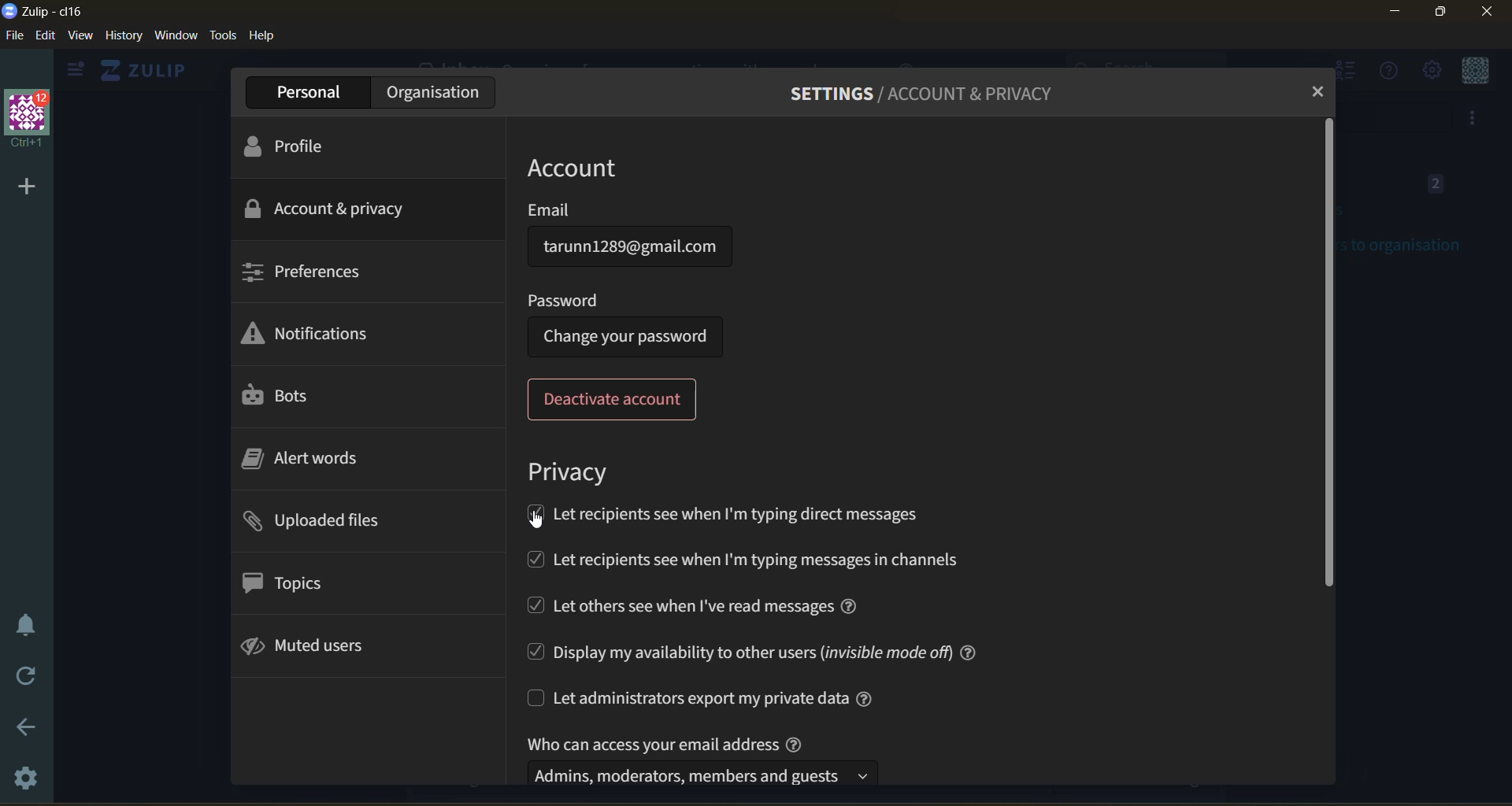 Image resolution: width=1512 pixels, height=806 pixels. Describe the element at coordinates (1314, 92) in the screenshot. I see `close tab` at that location.